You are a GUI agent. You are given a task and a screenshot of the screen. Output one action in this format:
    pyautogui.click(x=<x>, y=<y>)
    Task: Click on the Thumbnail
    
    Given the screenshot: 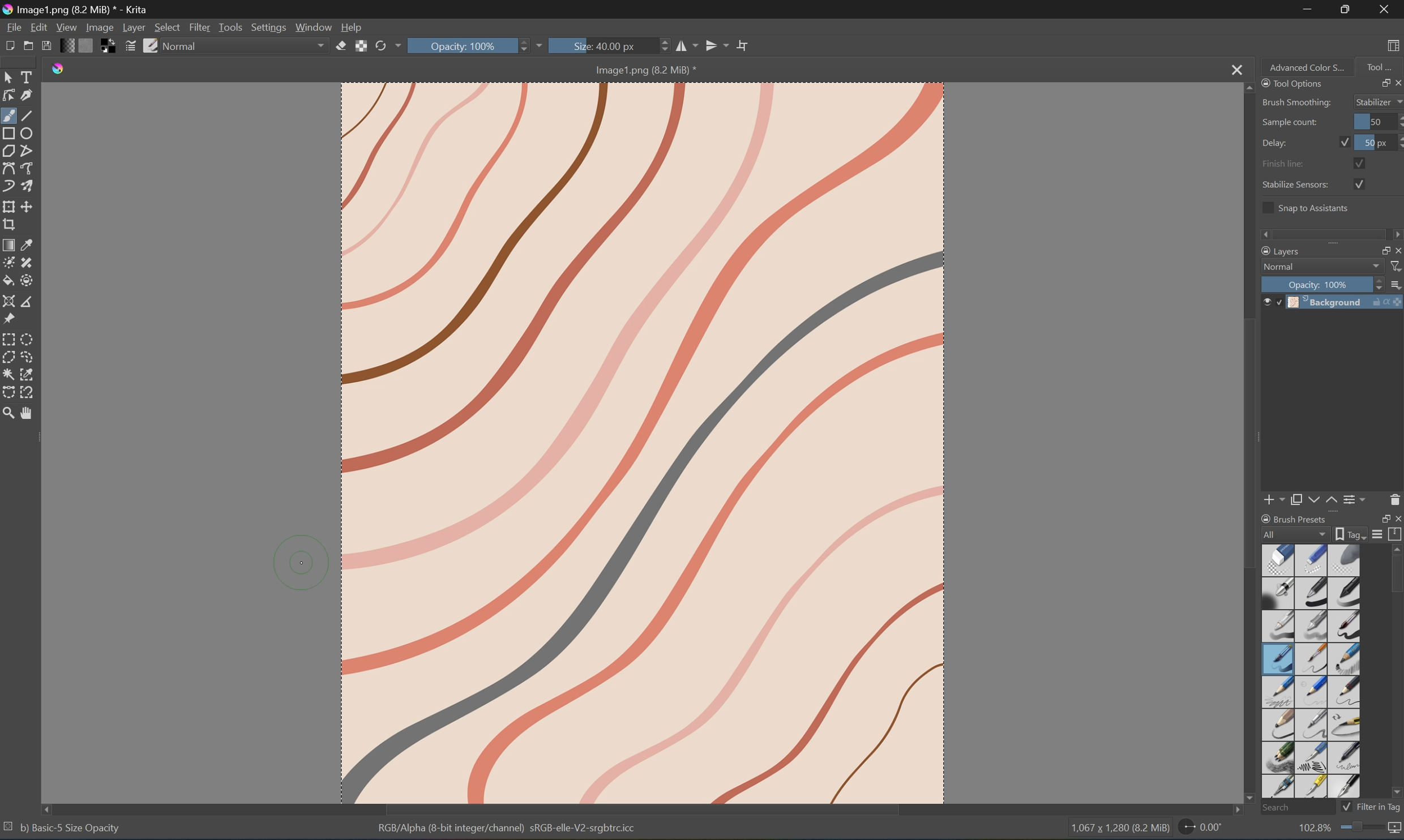 What is the action you would take?
    pyautogui.click(x=1395, y=284)
    